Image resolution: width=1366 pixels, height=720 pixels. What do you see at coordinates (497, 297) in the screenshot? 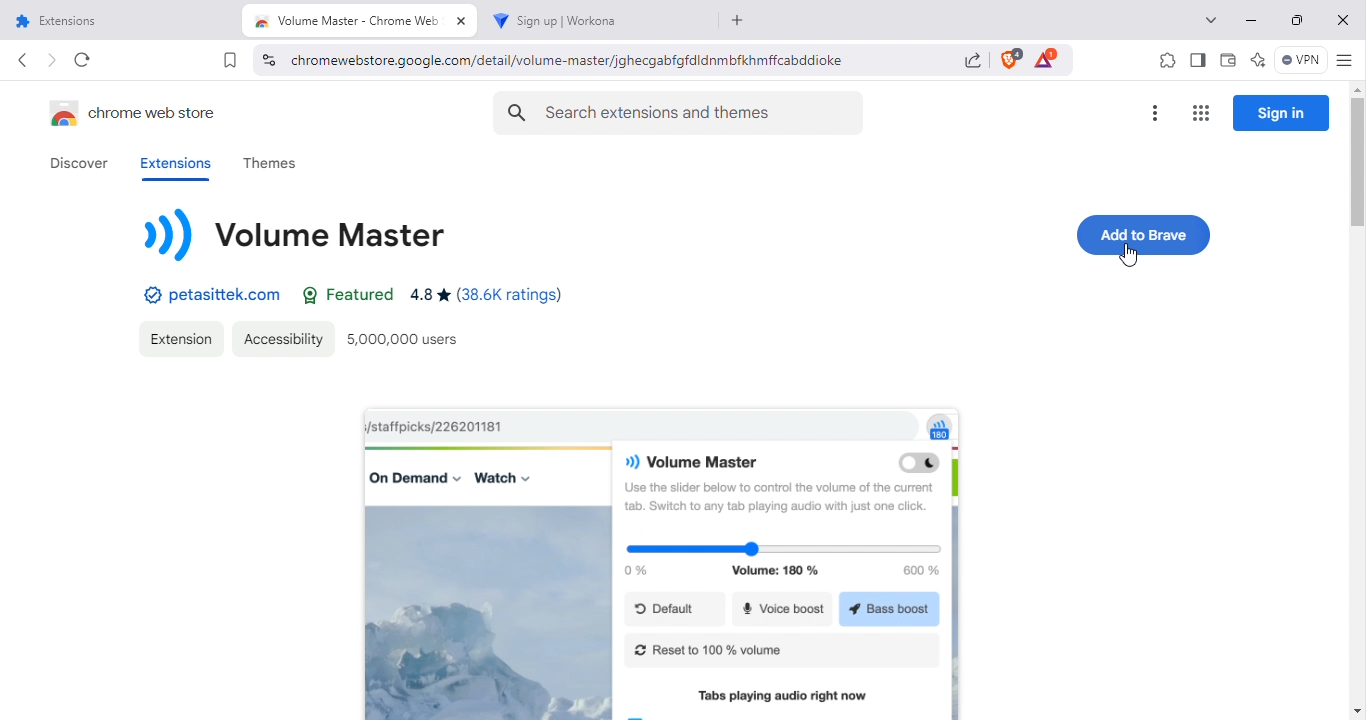
I see `Ratings` at bounding box center [497, 297].